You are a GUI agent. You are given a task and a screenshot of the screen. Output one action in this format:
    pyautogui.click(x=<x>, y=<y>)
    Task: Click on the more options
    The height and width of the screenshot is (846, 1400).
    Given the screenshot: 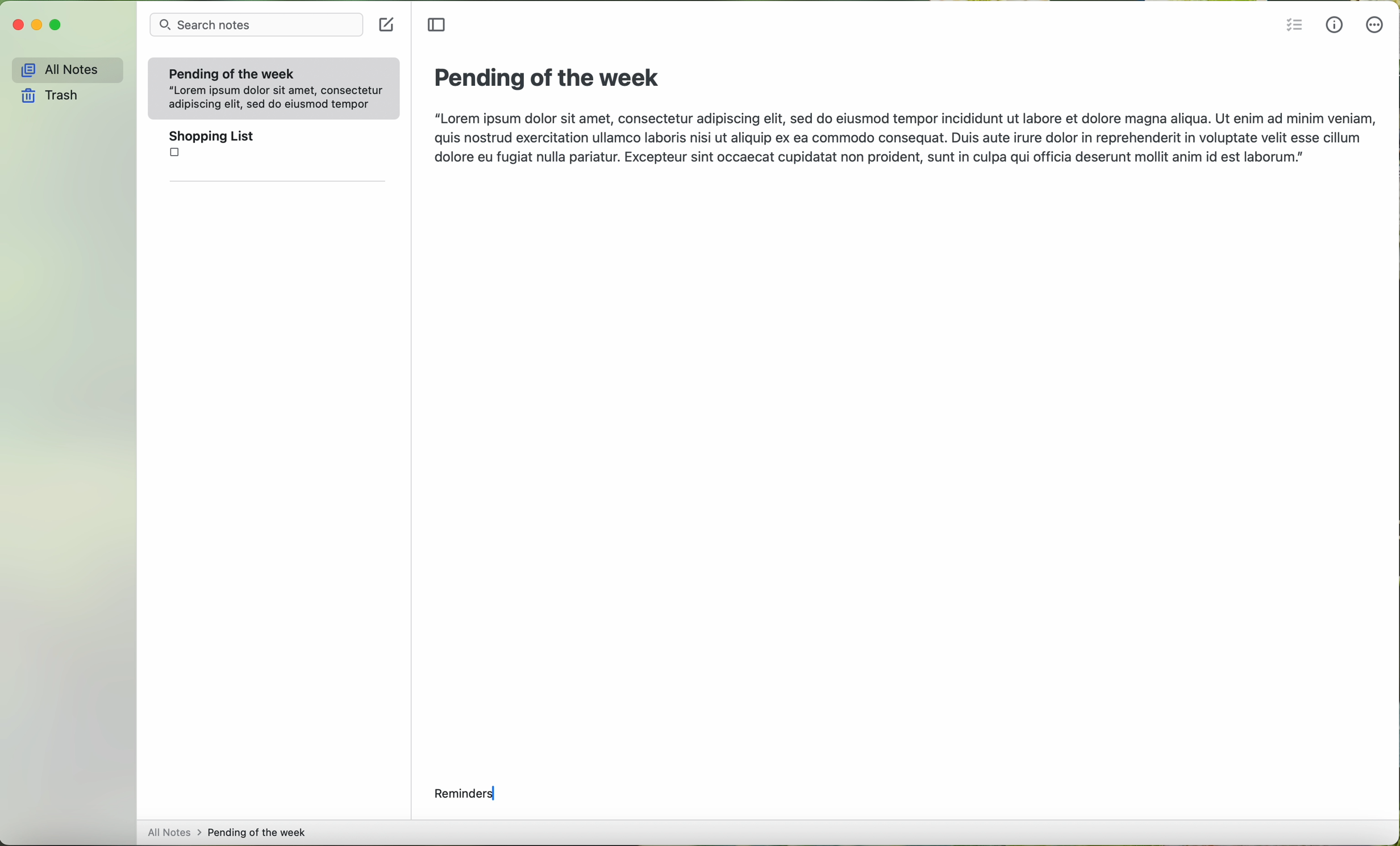 What is the action you would take?
    pyautogui.click(x=1374, y=28)
    